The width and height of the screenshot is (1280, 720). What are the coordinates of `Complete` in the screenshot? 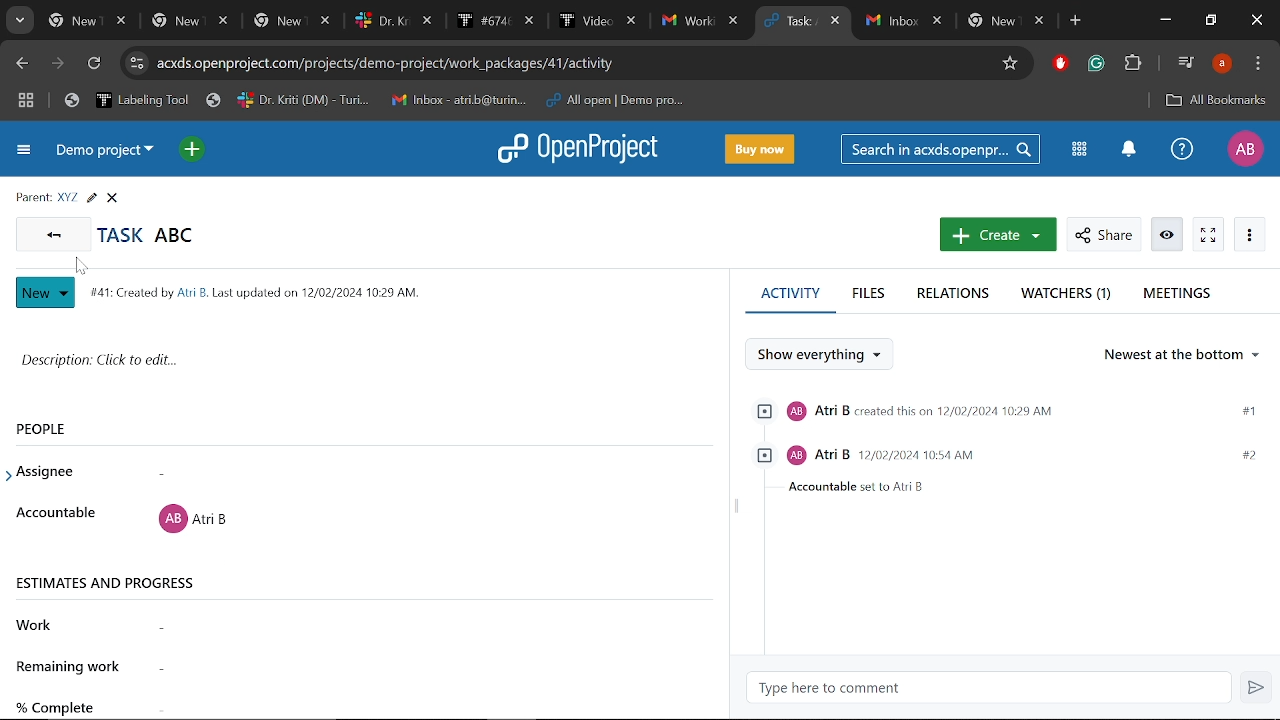 It's located at (319, 700).